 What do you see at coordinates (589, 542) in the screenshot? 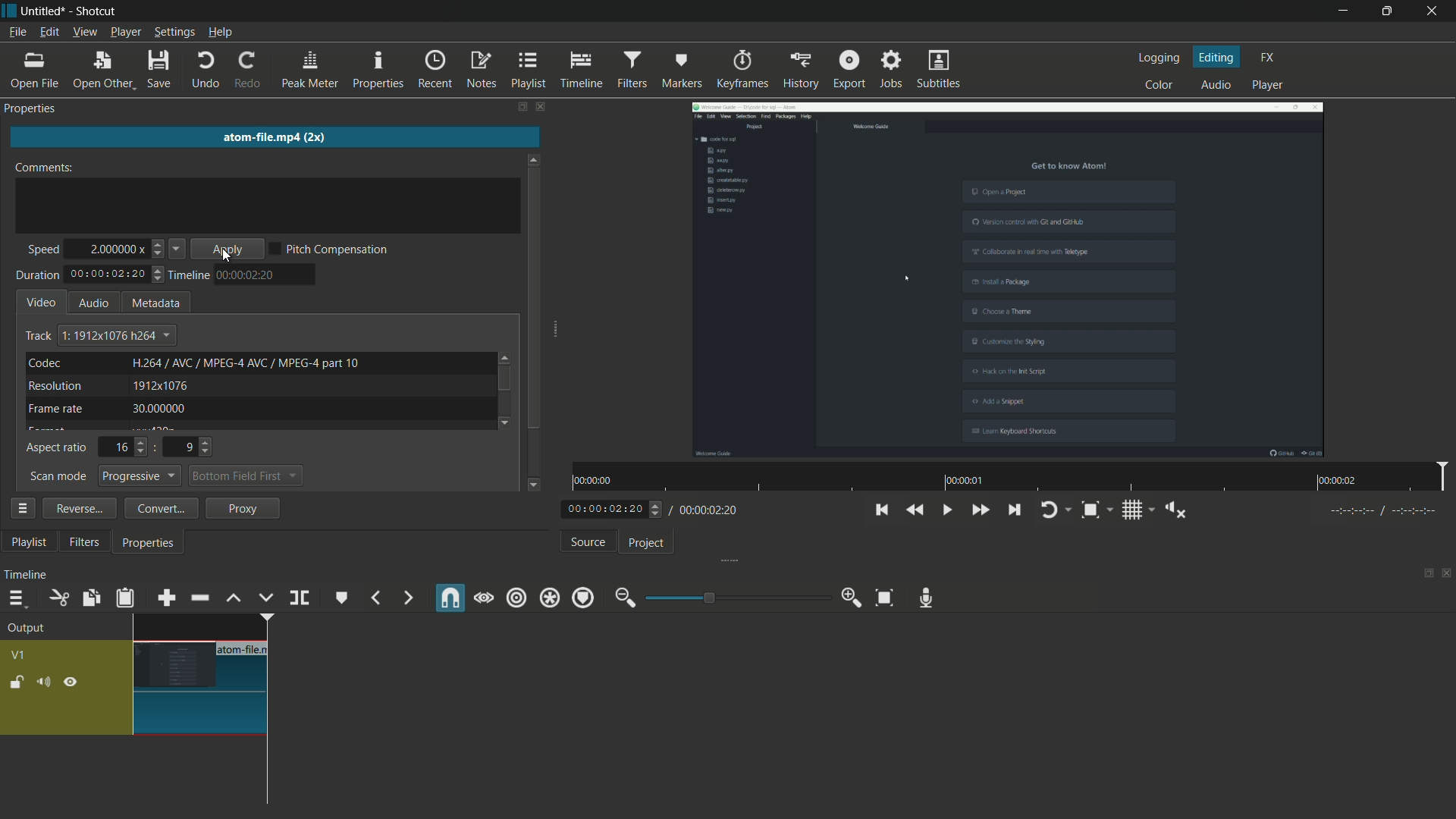
I see `source` at bounding box center [589, 542].